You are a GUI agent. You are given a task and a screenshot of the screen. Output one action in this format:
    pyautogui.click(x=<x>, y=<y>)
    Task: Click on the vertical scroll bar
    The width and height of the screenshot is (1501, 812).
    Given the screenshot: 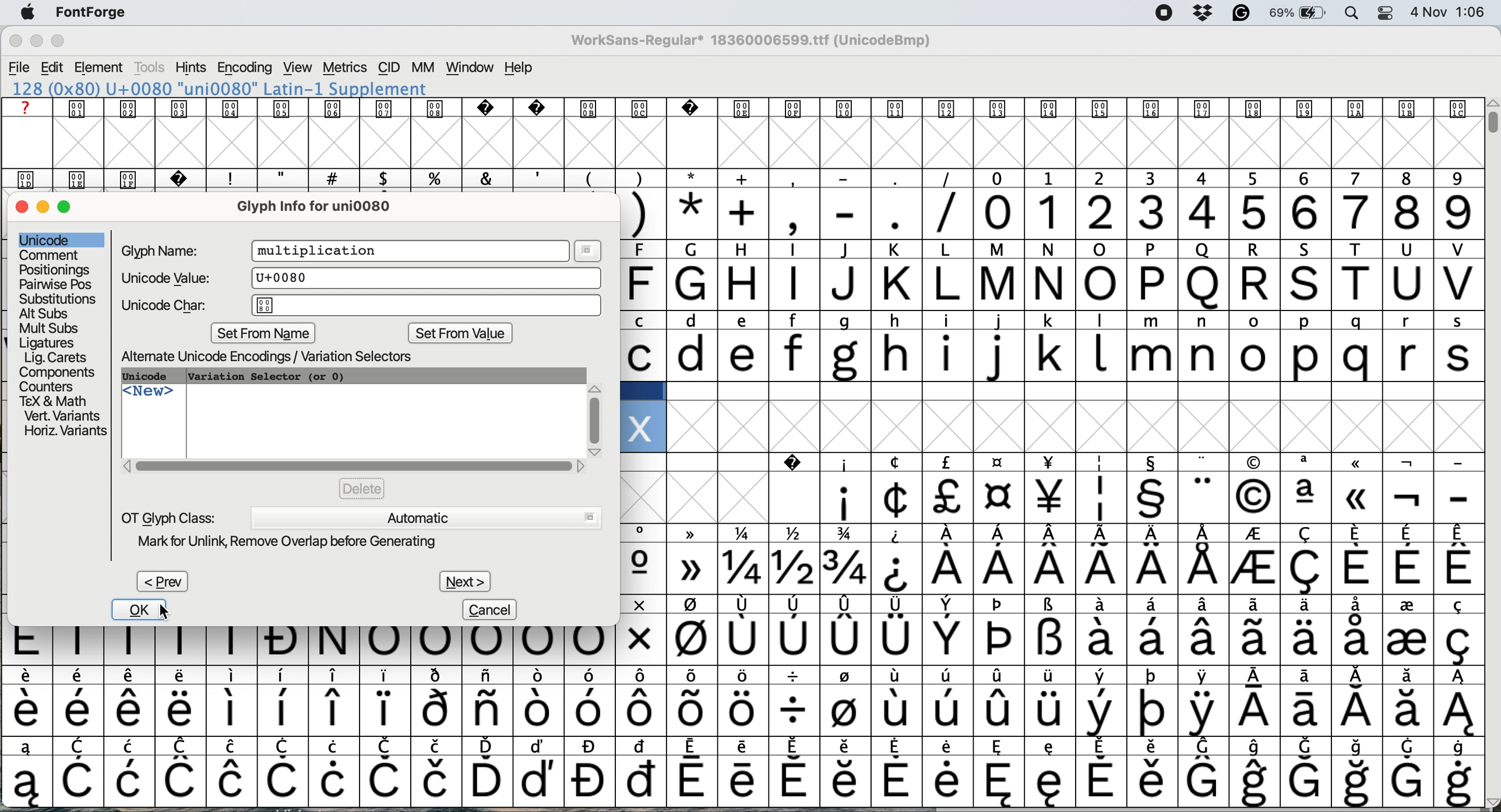 What is the action you would take?
    pyautogui.click(x=1490, y=122)
    